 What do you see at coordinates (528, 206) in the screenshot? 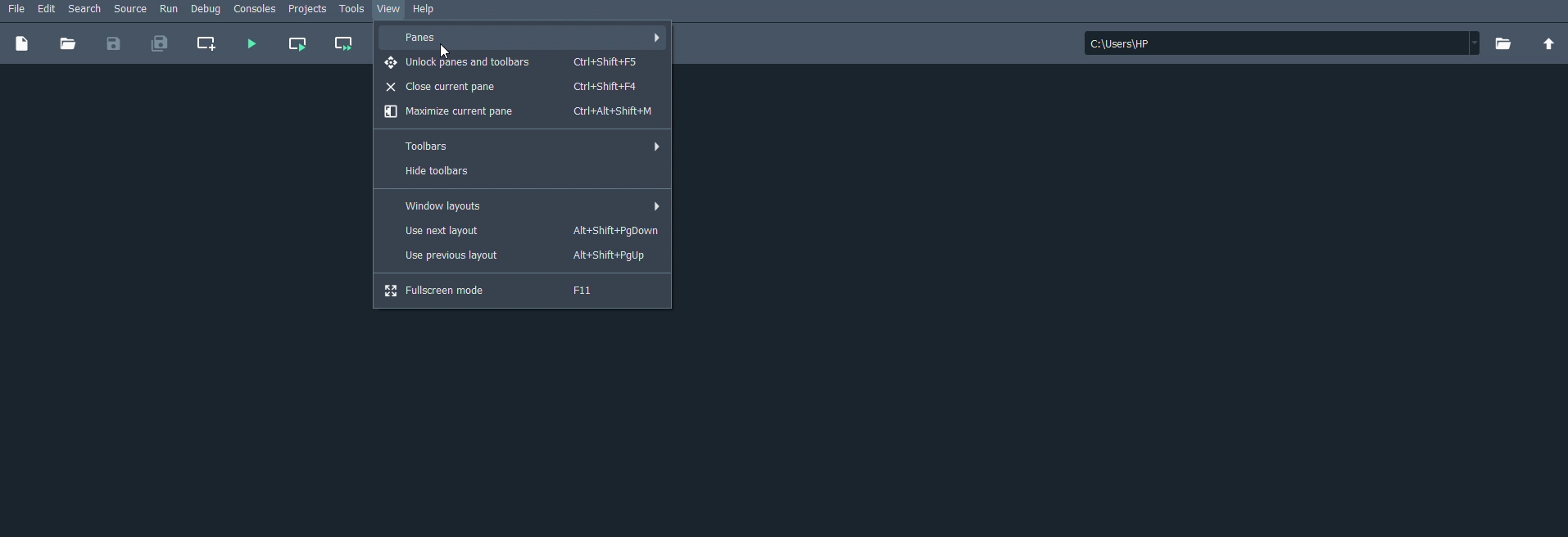
I see `Window layouts` at bounding box center [528, 206].